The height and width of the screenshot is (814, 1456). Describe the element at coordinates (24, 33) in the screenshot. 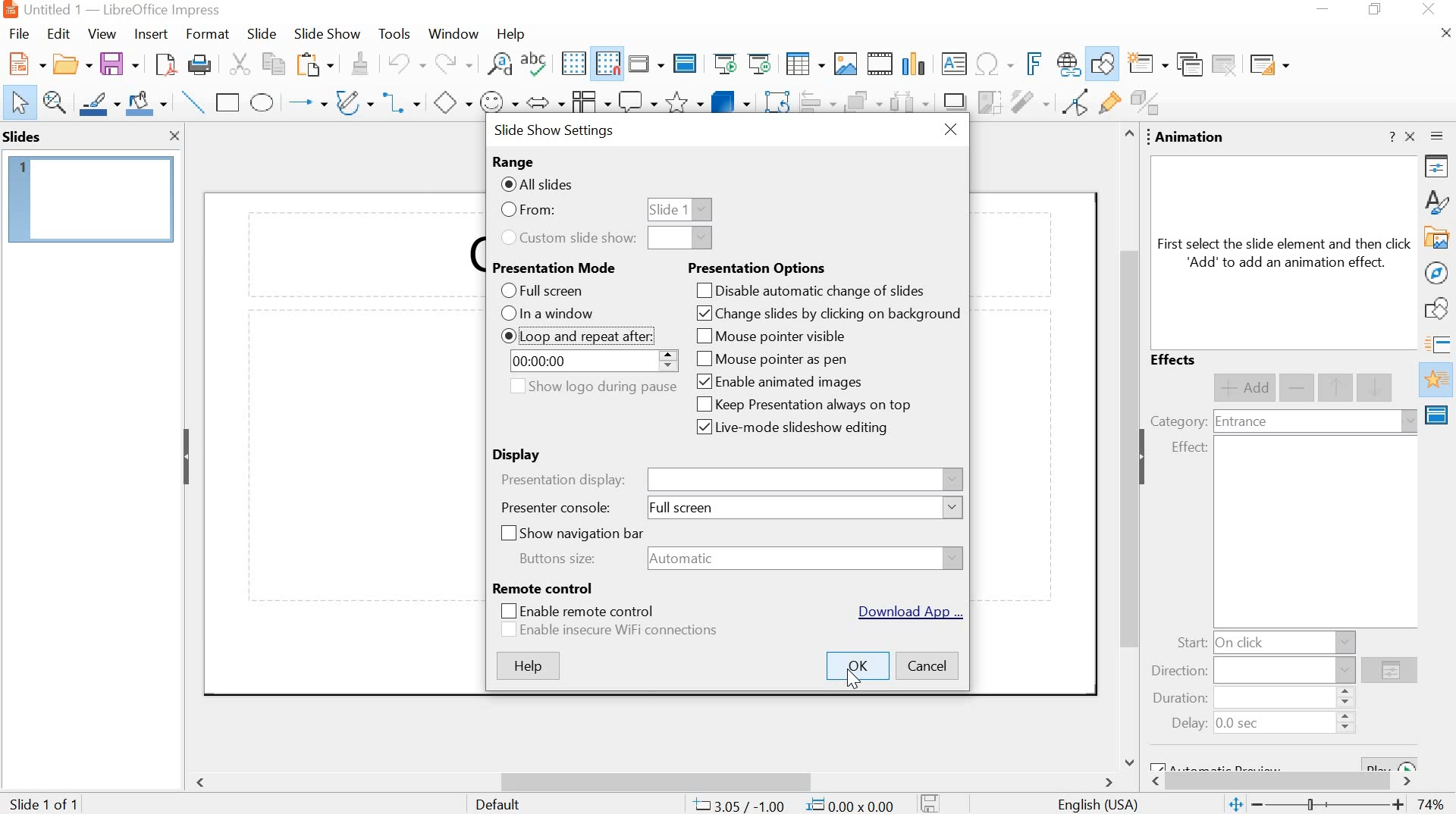

I see `file menu` at that location.